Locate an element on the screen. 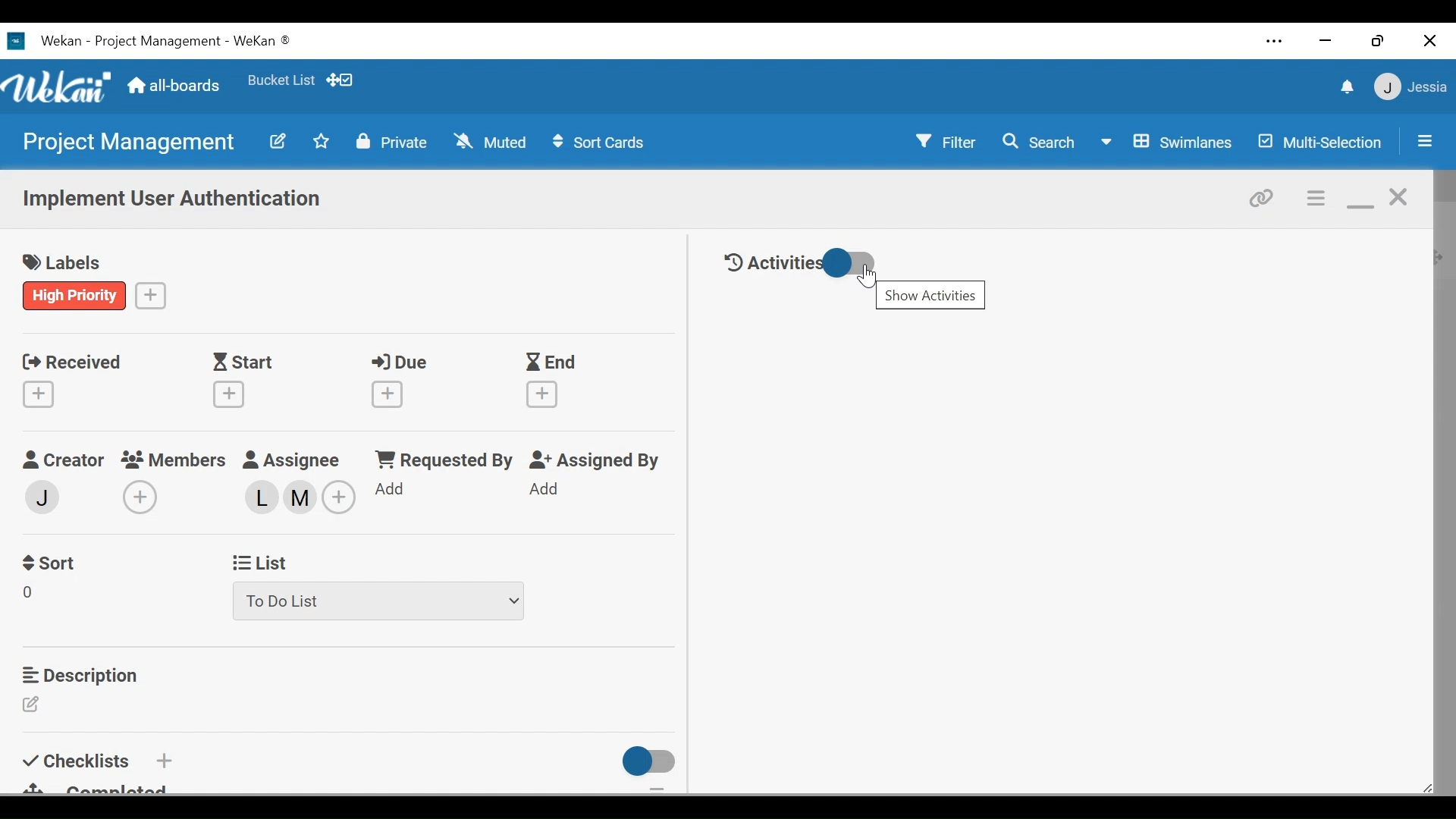 This screenshot has width=1456, height=819. settings and more is located at coordinates (1273, 41).